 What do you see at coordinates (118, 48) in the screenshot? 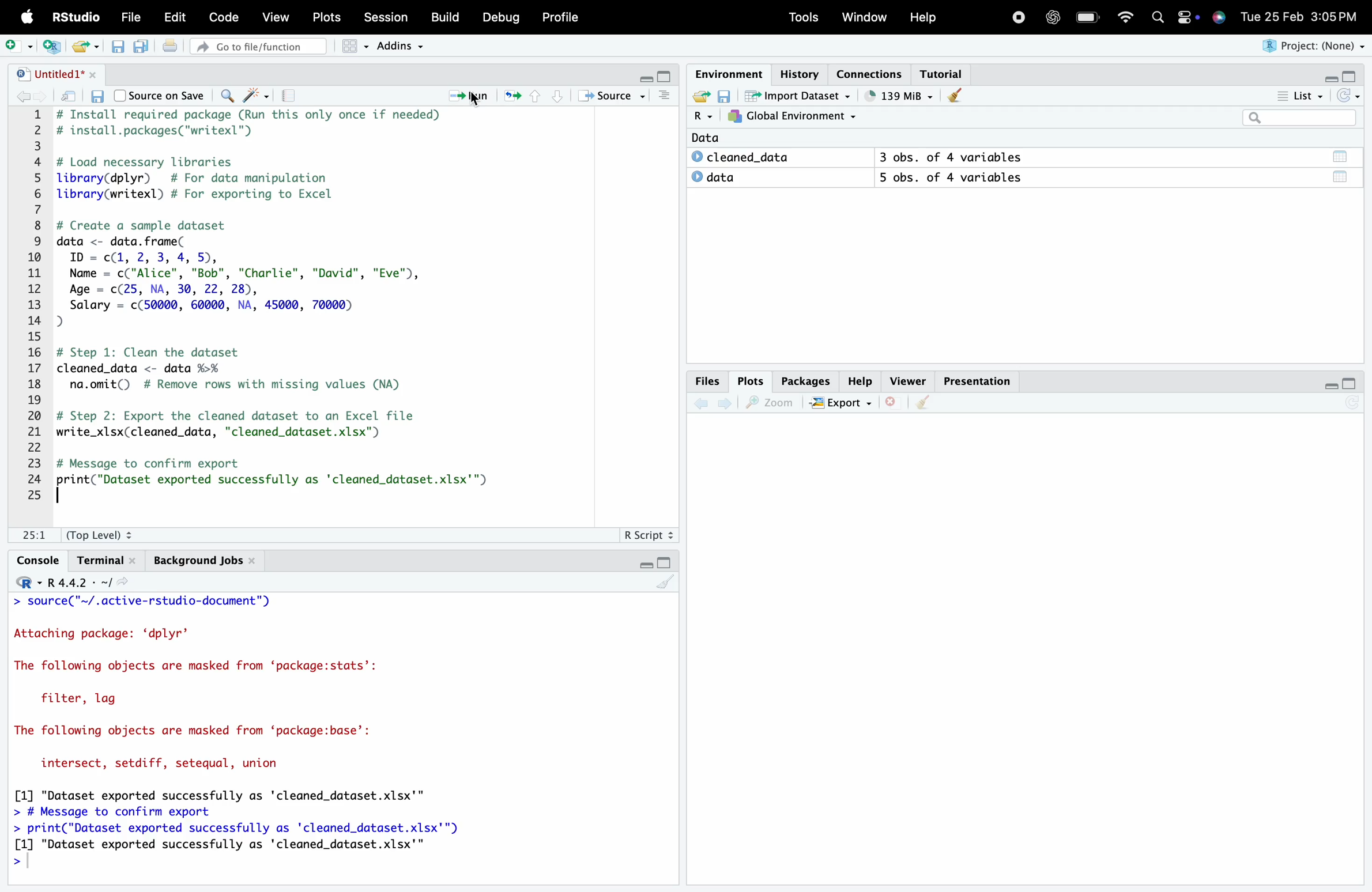
I see `Save current document (Ctrl + S)` at bounding box center [118, 48].